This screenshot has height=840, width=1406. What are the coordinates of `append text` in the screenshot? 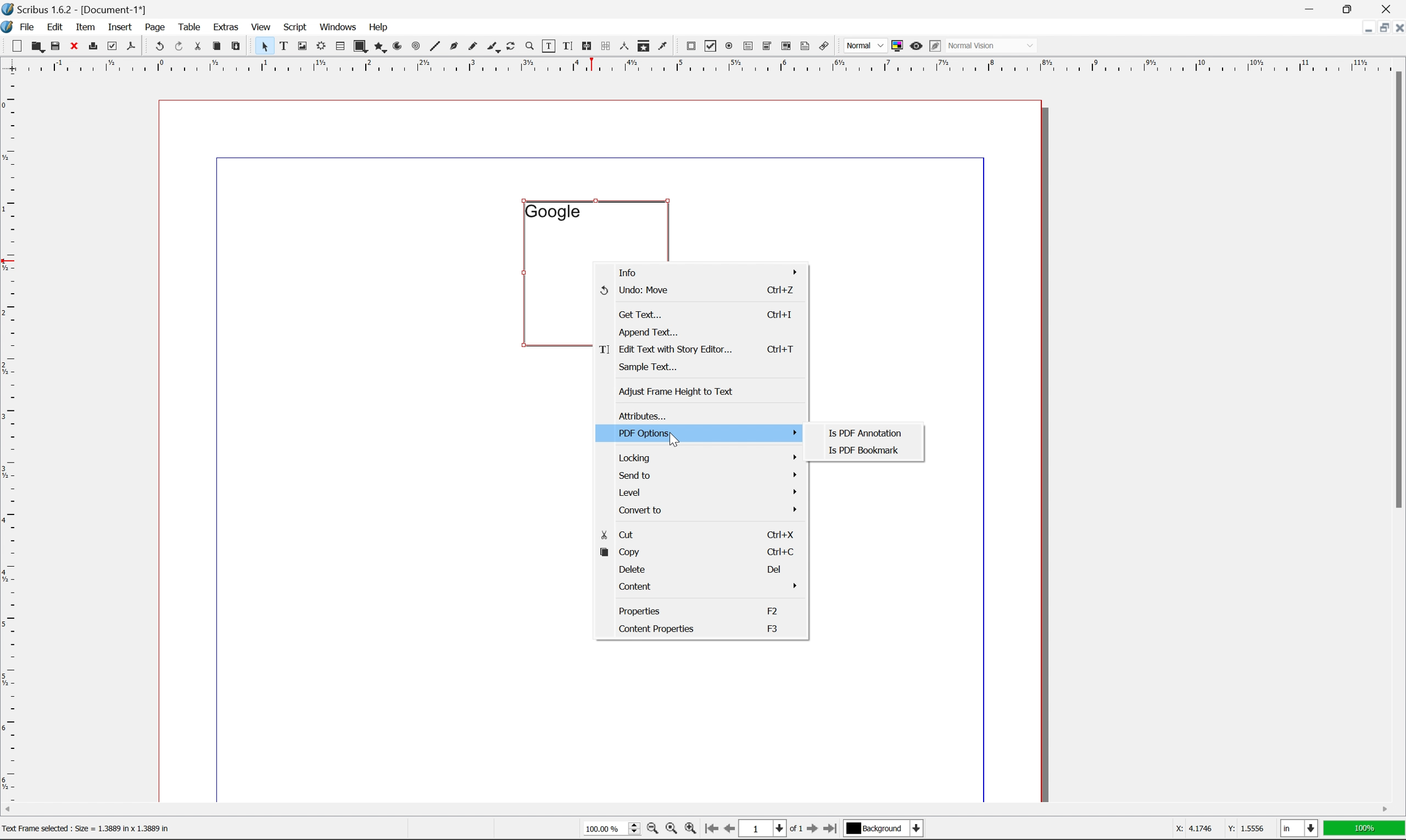 It's located at (651, 331).